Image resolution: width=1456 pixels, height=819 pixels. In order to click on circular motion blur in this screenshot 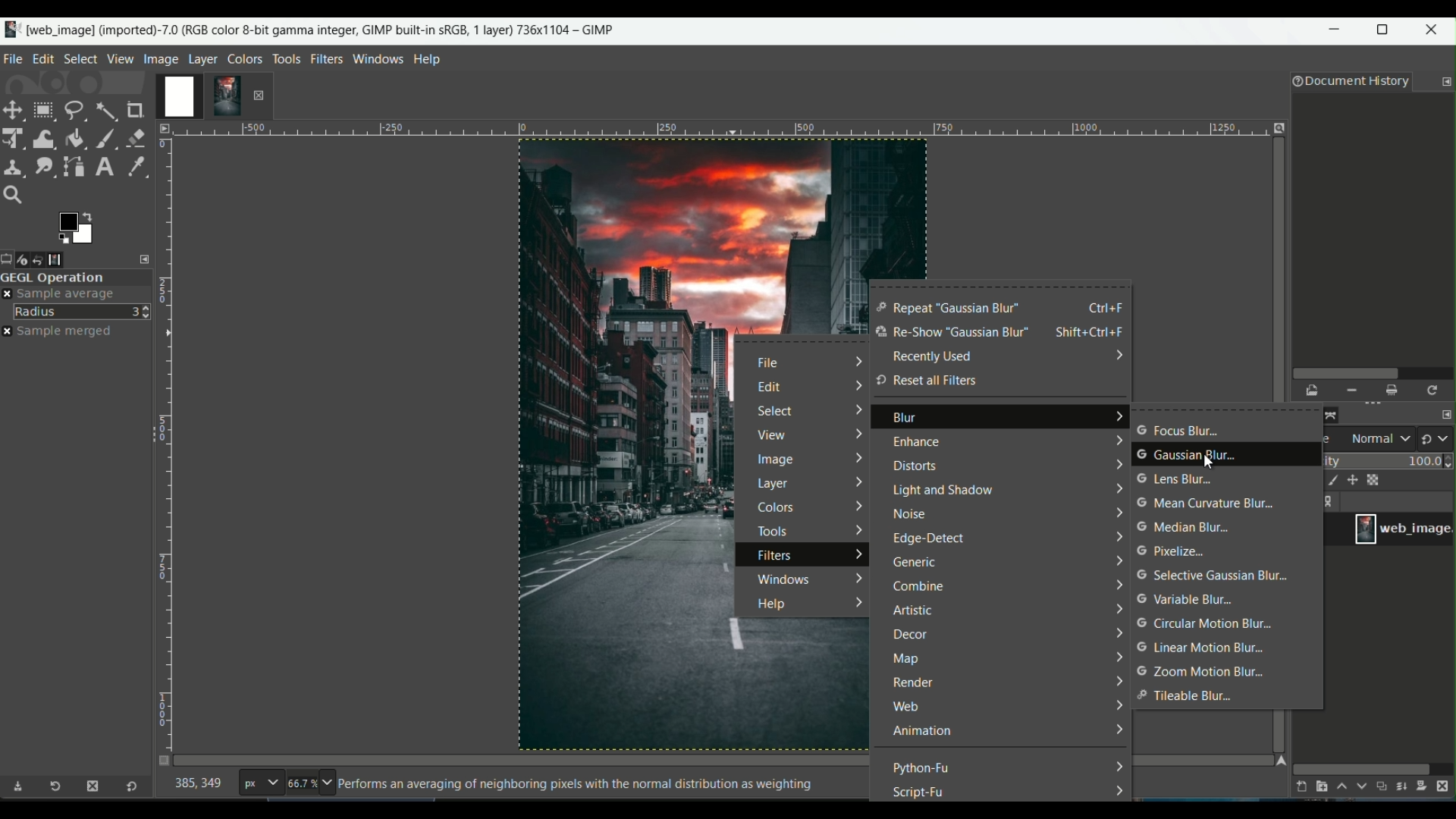, I will do `click(1202, 624)`.